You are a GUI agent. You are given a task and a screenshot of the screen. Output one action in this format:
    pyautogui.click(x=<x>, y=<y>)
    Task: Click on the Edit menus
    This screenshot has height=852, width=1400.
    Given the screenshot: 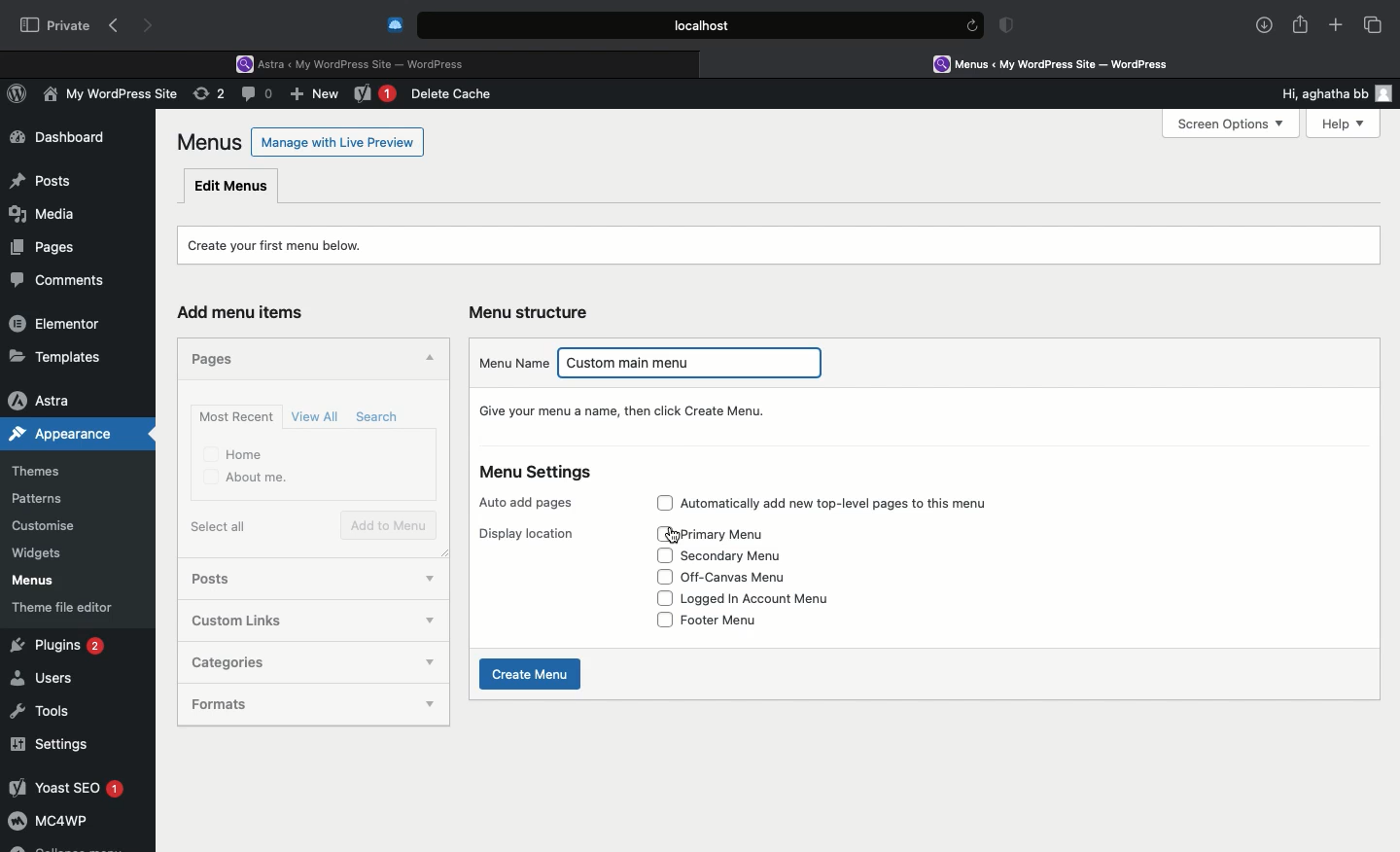 What is the action you would take?
    pyautogui.click(x=232, y=185)
    